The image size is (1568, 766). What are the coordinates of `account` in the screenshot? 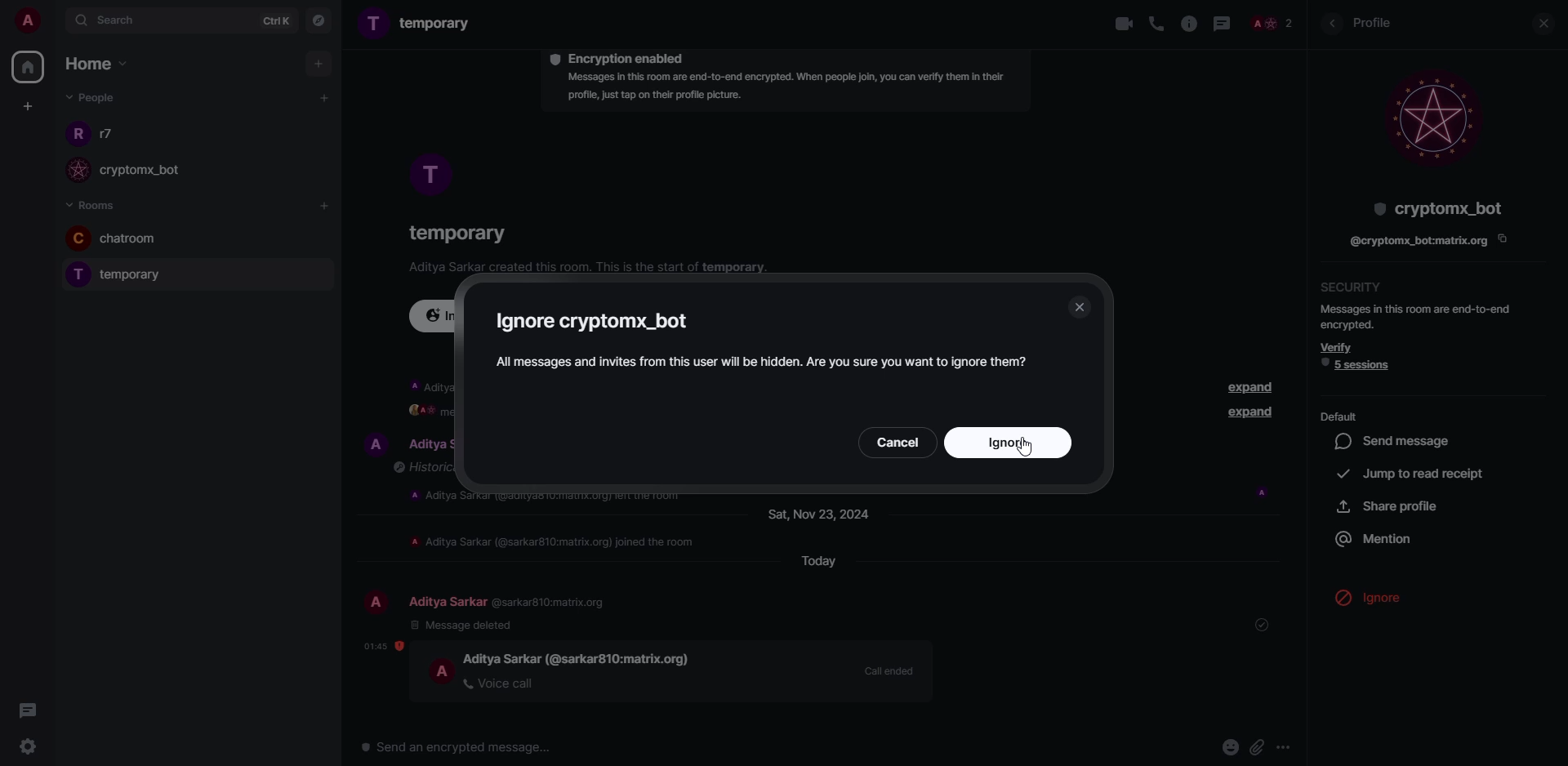 It's located at (29, 22).